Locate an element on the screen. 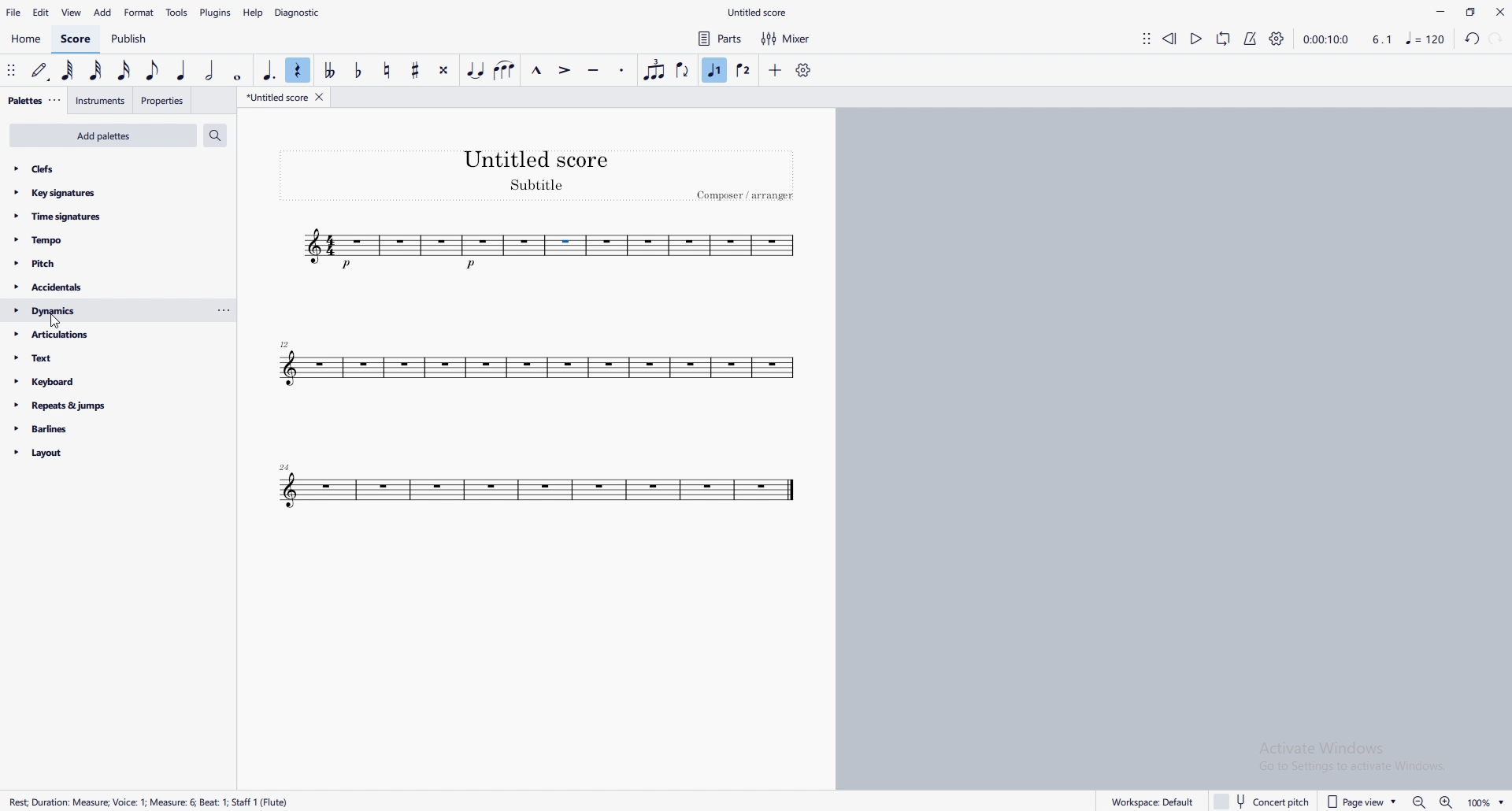 Image resolution: width=1512 pixels, height=811 pixels. add palettes is located at coordinates (103, 135).